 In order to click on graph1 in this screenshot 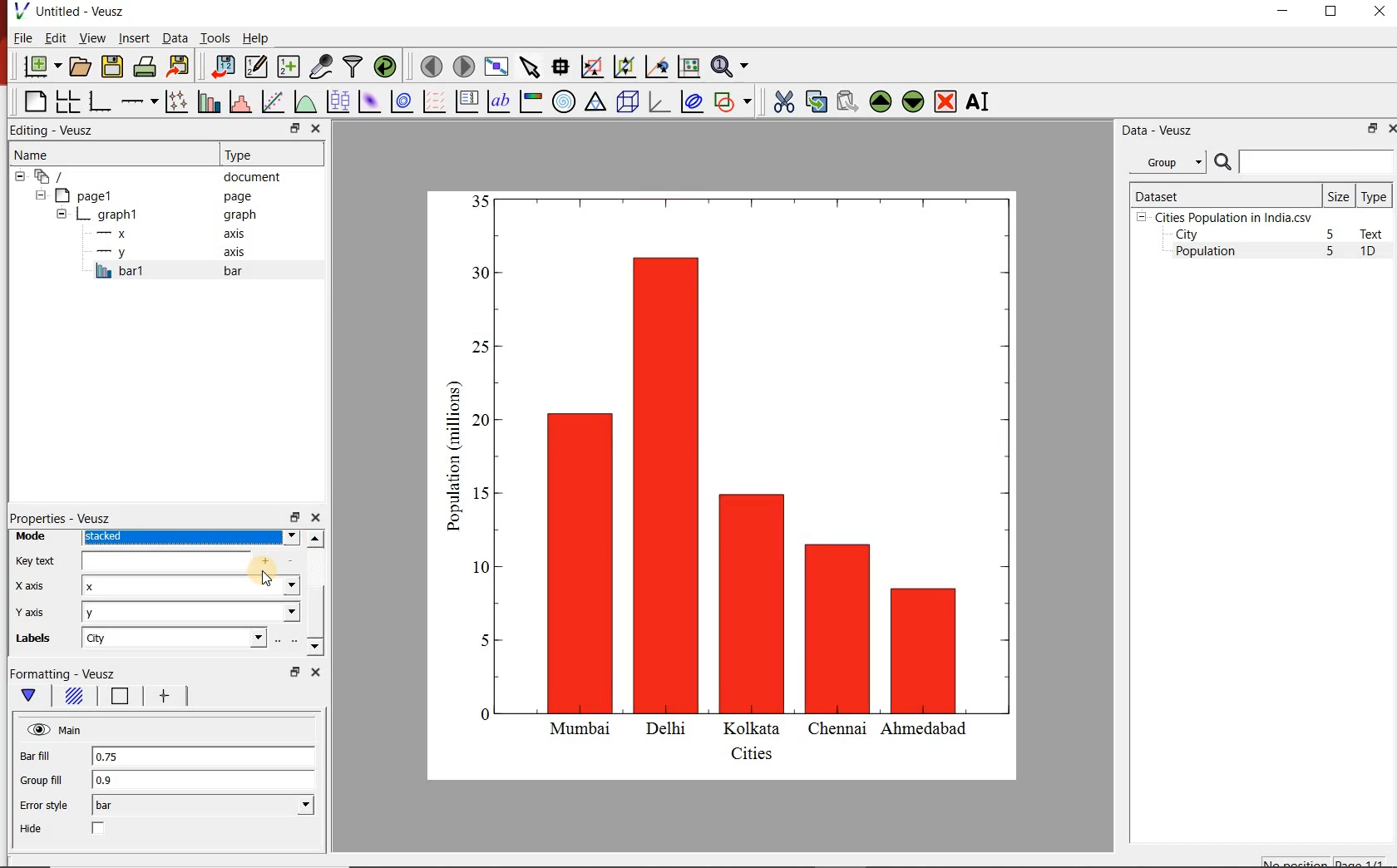, I will do `click(743, 481)`.